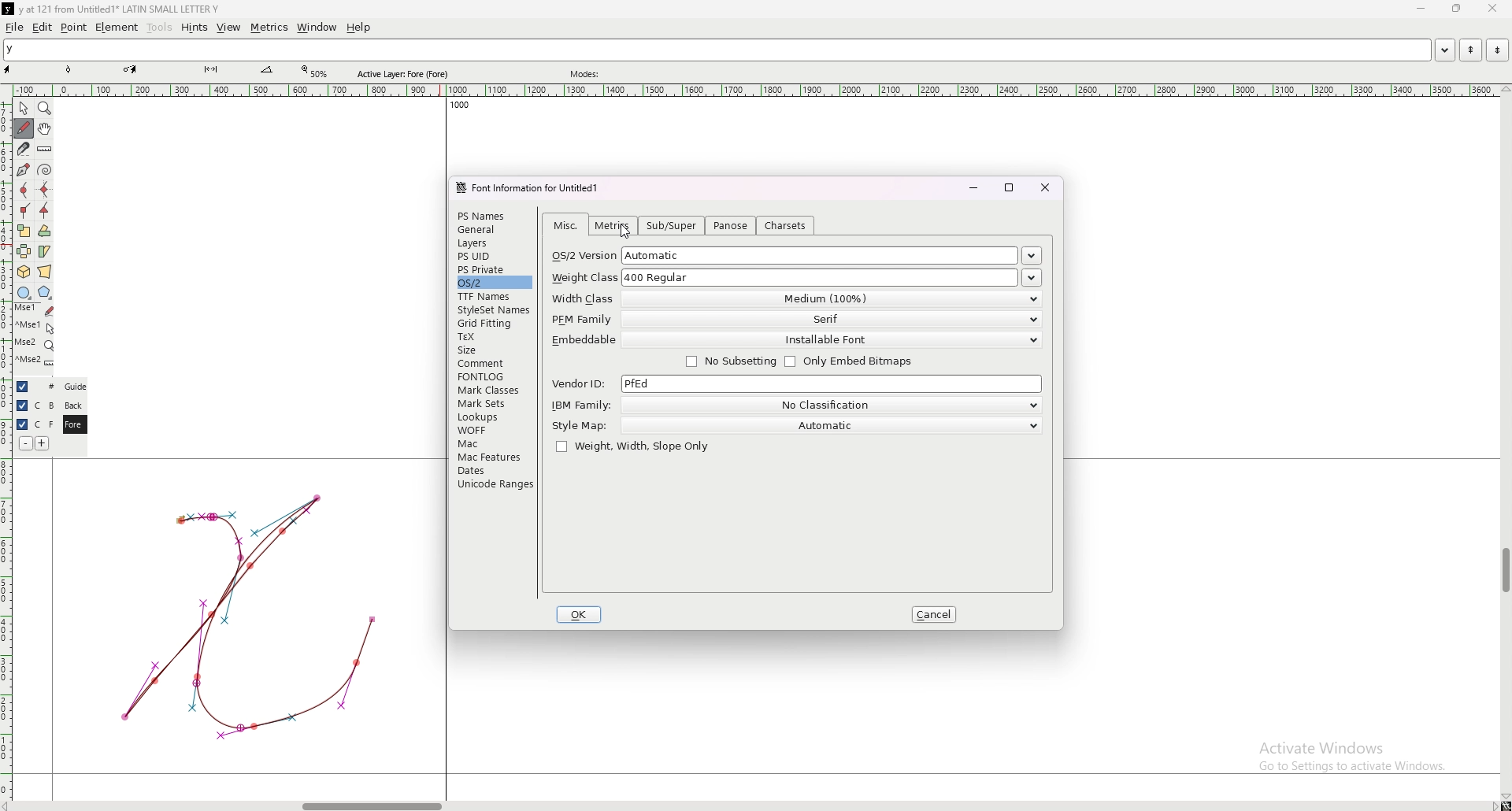 This screenshot has width=1512, height=811. What do you see at coordinates (267, 70) in the screenshot?
I see `measurement tool` at bounding box center [267, 70].